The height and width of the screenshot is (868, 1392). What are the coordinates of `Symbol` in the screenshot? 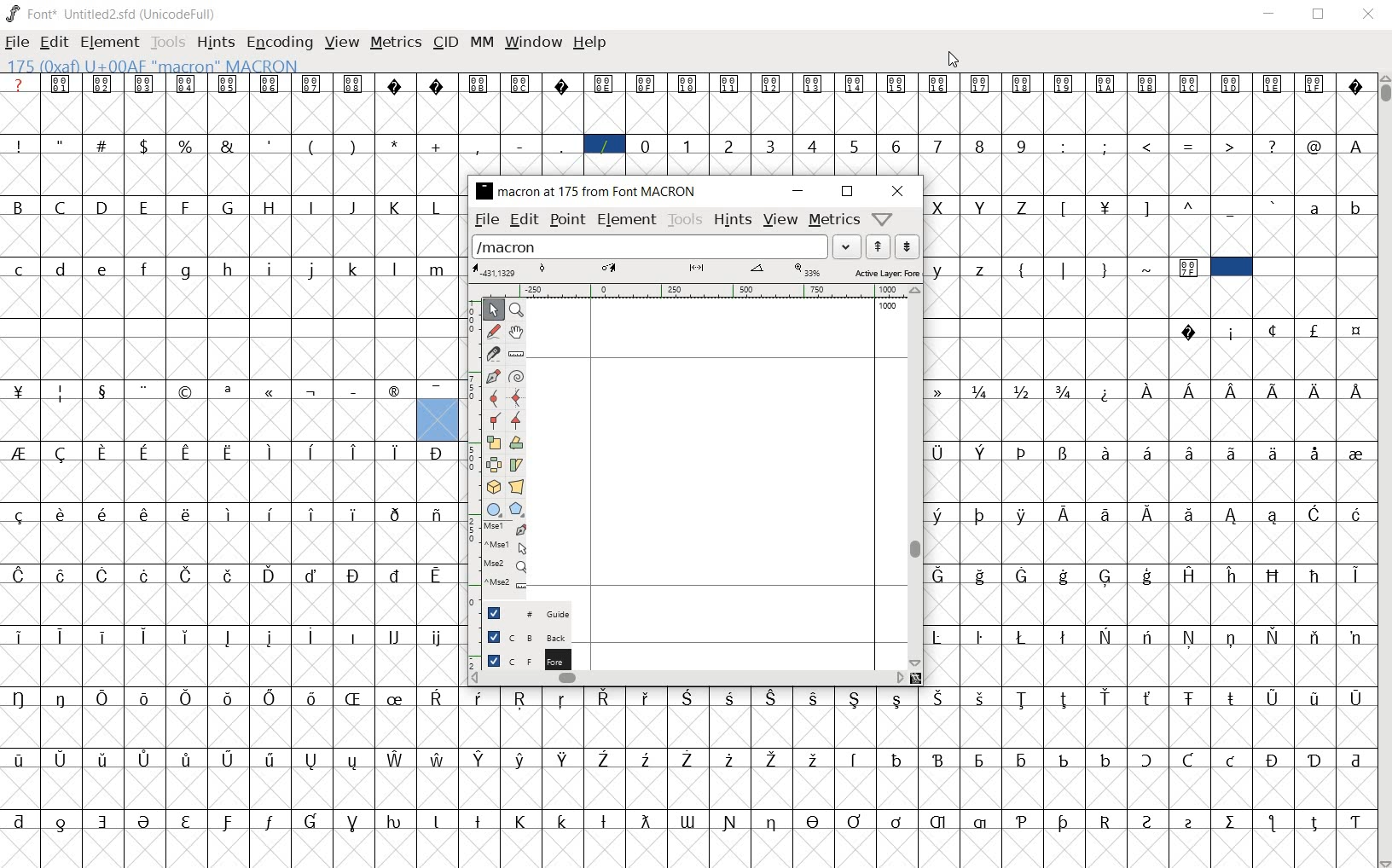 It's located at (315, 574).